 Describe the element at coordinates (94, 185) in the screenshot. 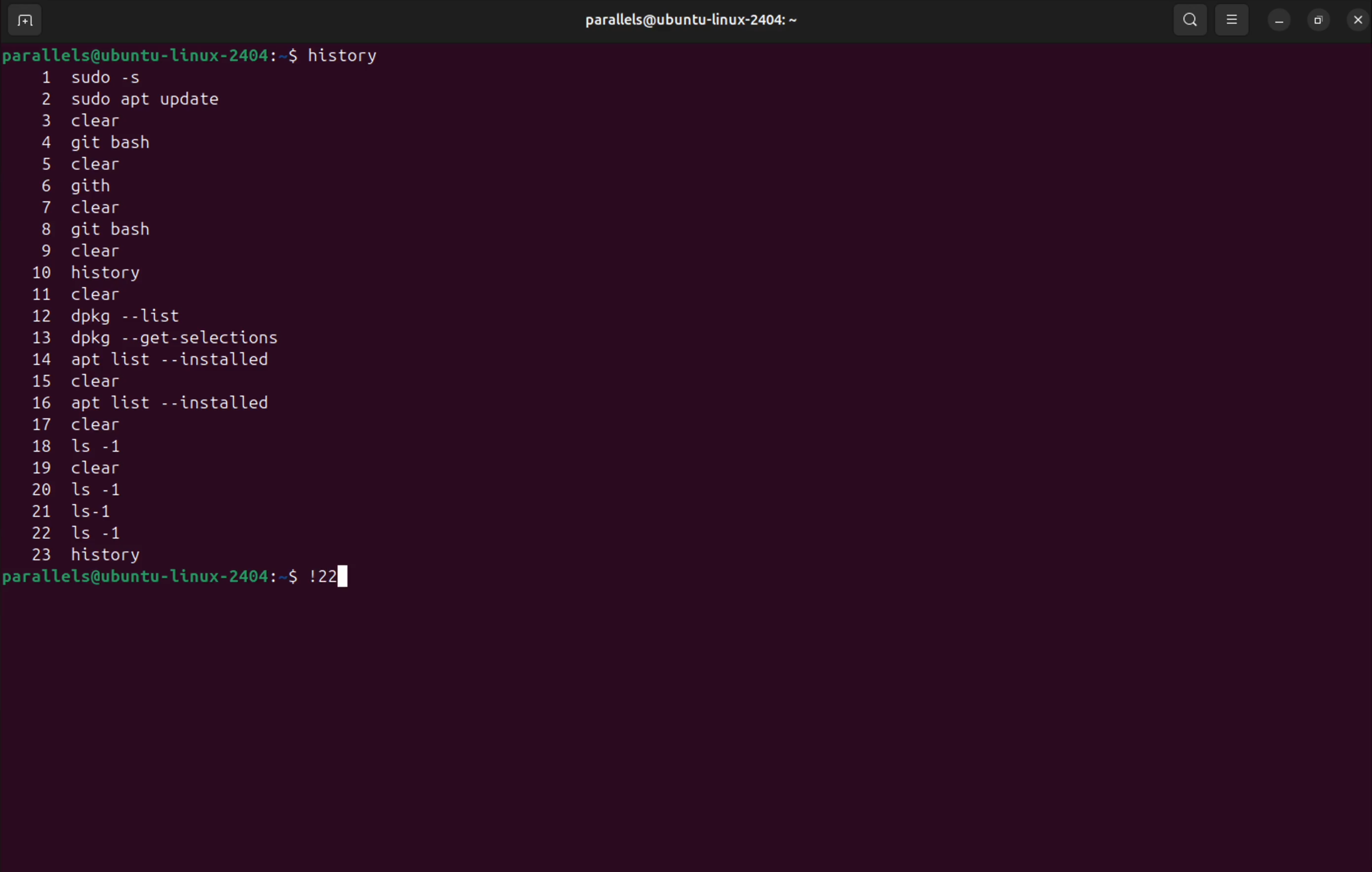

I see `6 gith` at that location.